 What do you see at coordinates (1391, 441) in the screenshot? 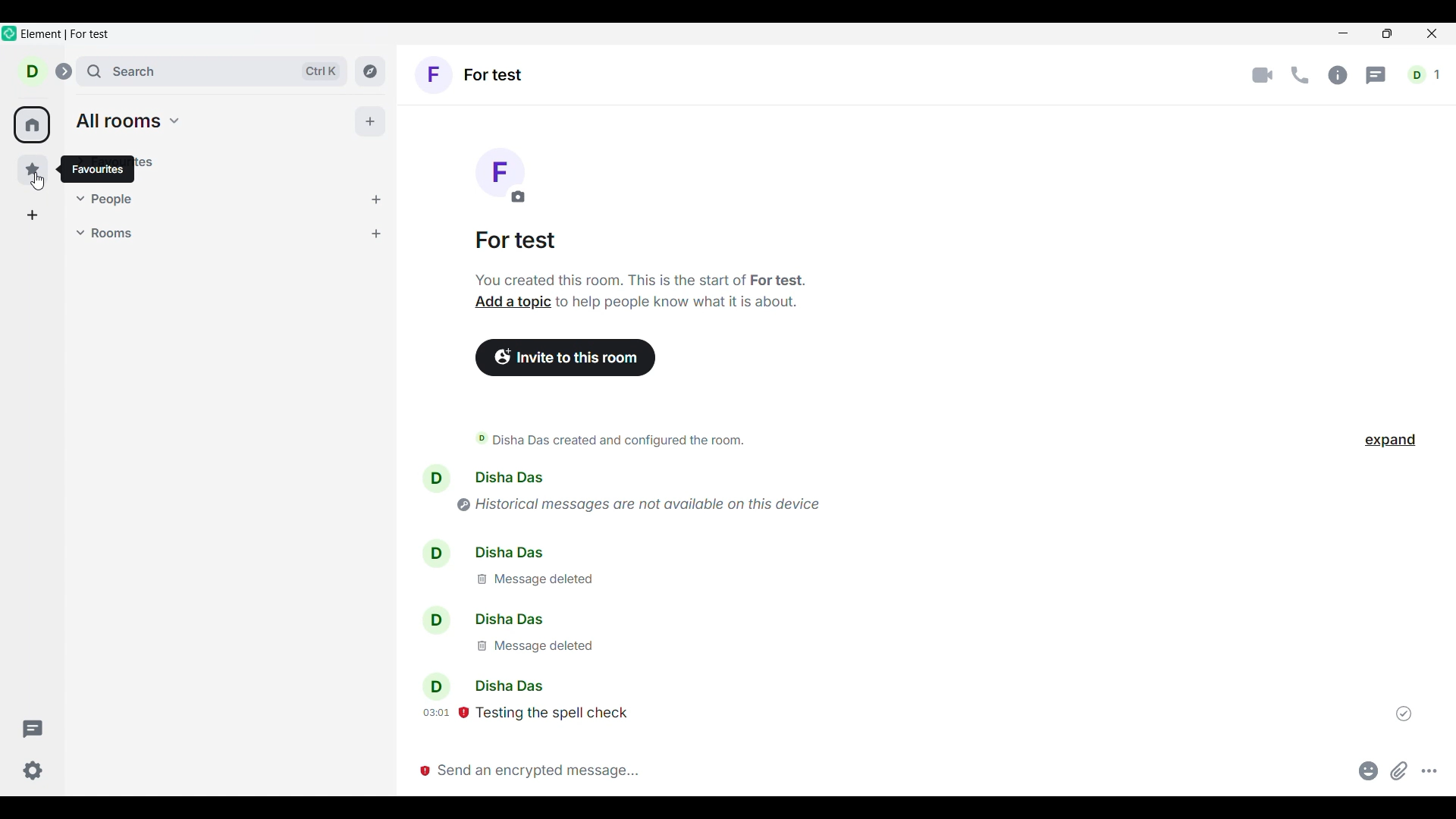
I see `Click to expand` at bounding box center [1391, 441].